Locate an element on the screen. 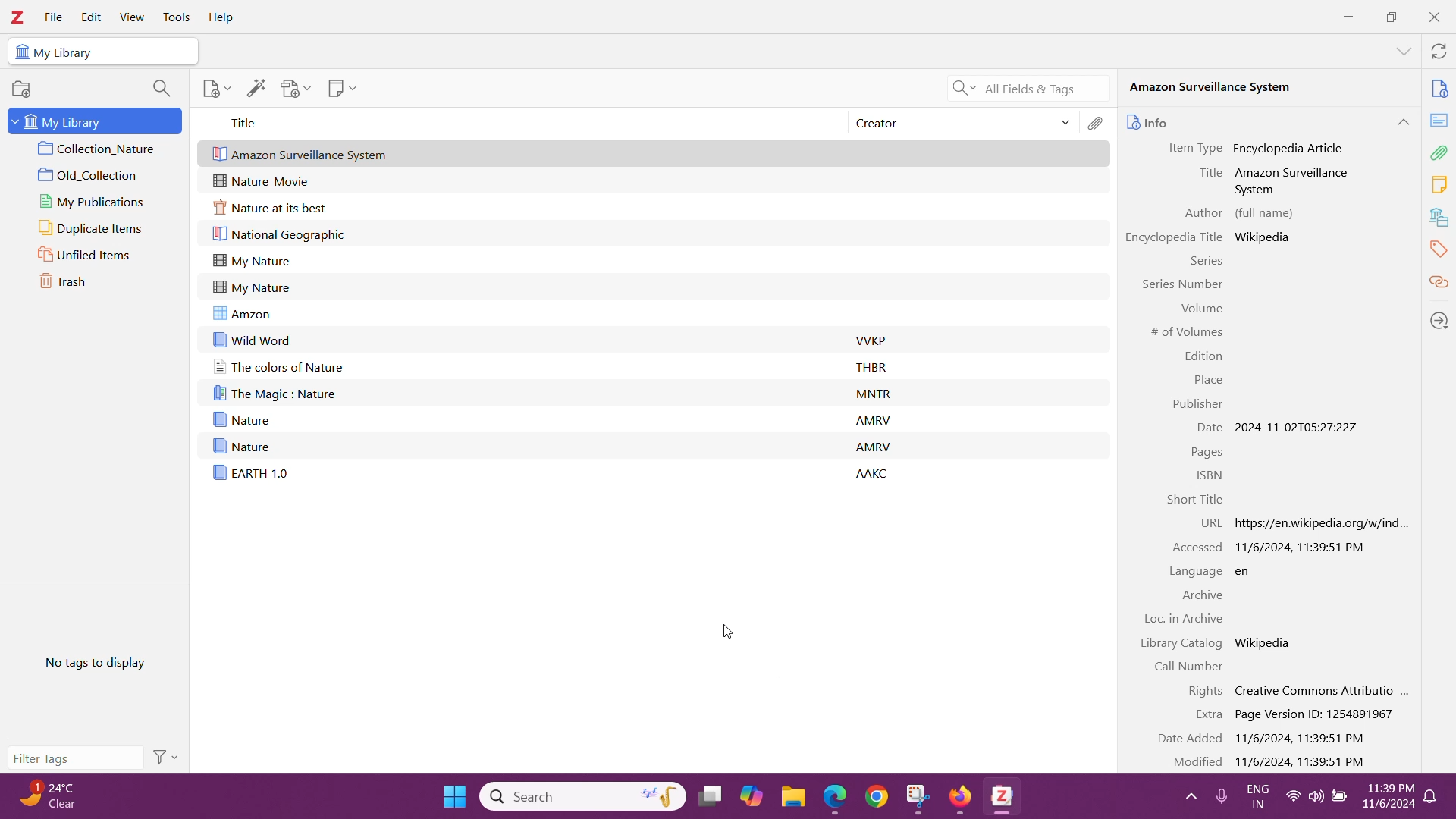 The width and height of the screenshot is (1456, 819). Encyclopedia Title is located at coordinates (1171, 237).